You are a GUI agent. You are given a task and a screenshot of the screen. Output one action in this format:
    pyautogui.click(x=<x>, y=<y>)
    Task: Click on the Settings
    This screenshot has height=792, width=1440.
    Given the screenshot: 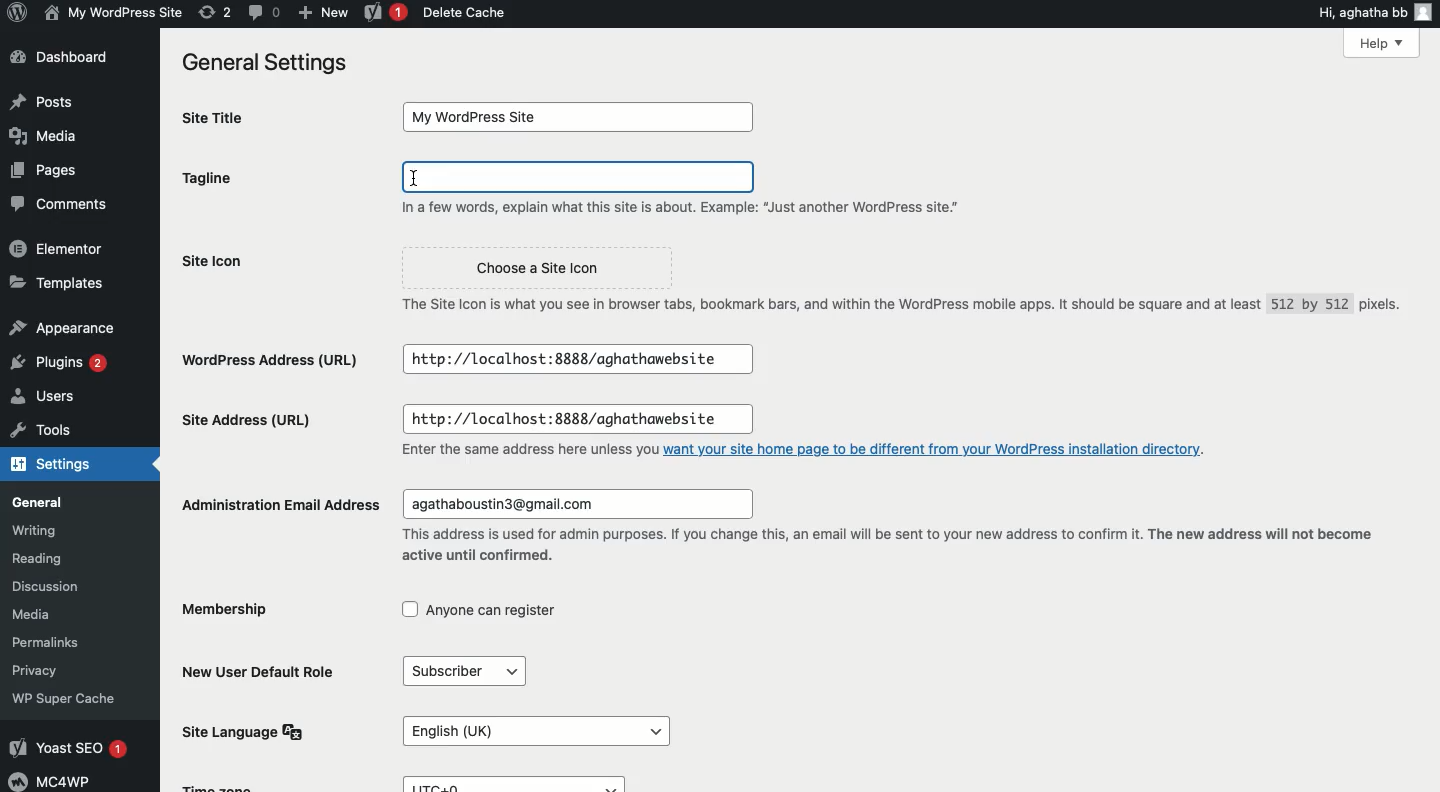 What is the action you would take?
    pyautogui.click(x=72, y=467)
    